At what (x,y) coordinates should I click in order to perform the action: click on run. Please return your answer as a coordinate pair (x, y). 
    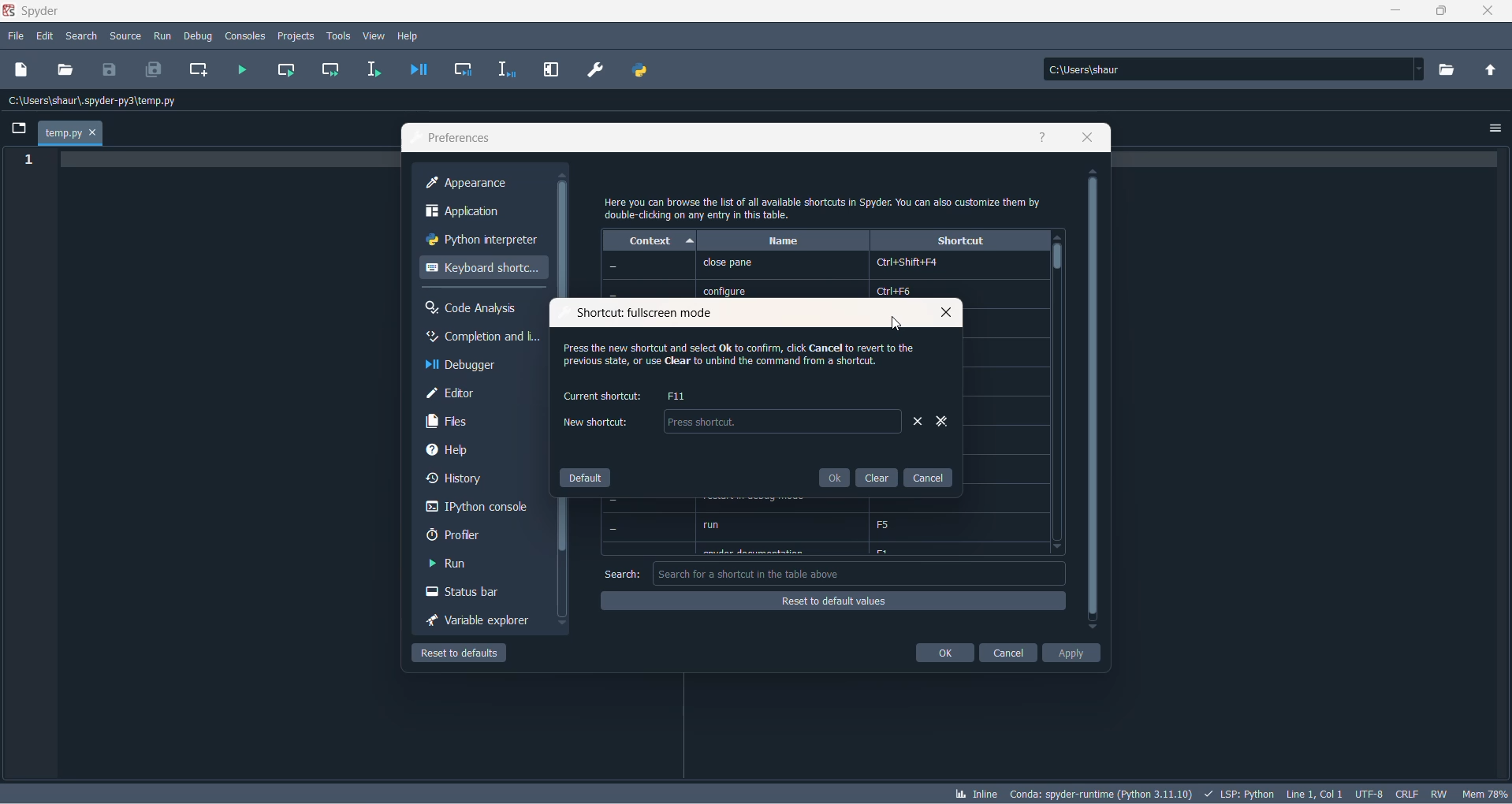
    Looking at the image, I should click on (464, 564).